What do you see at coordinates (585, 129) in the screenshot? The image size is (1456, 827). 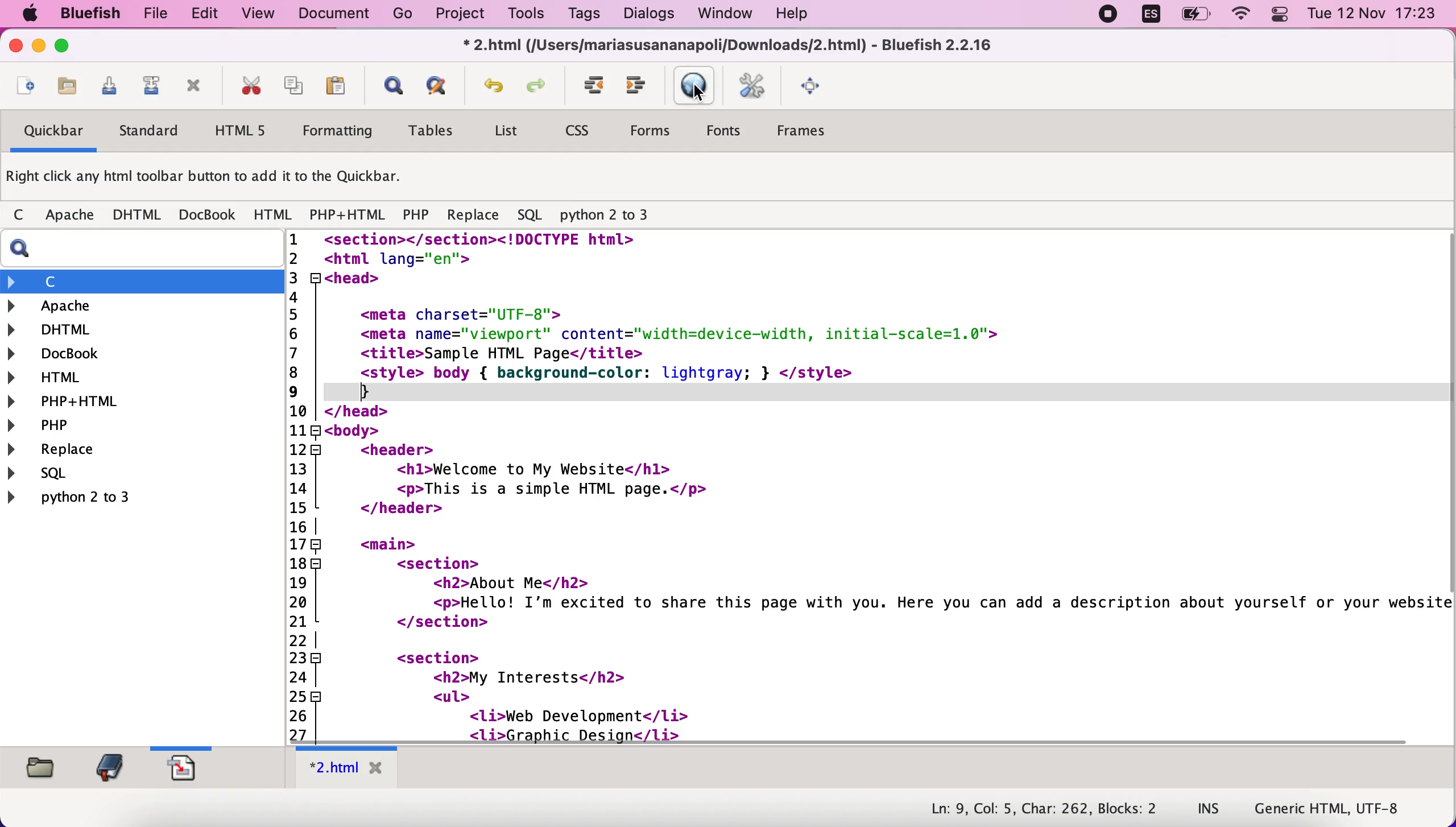 I see `css` at bounding box center [585, 129].